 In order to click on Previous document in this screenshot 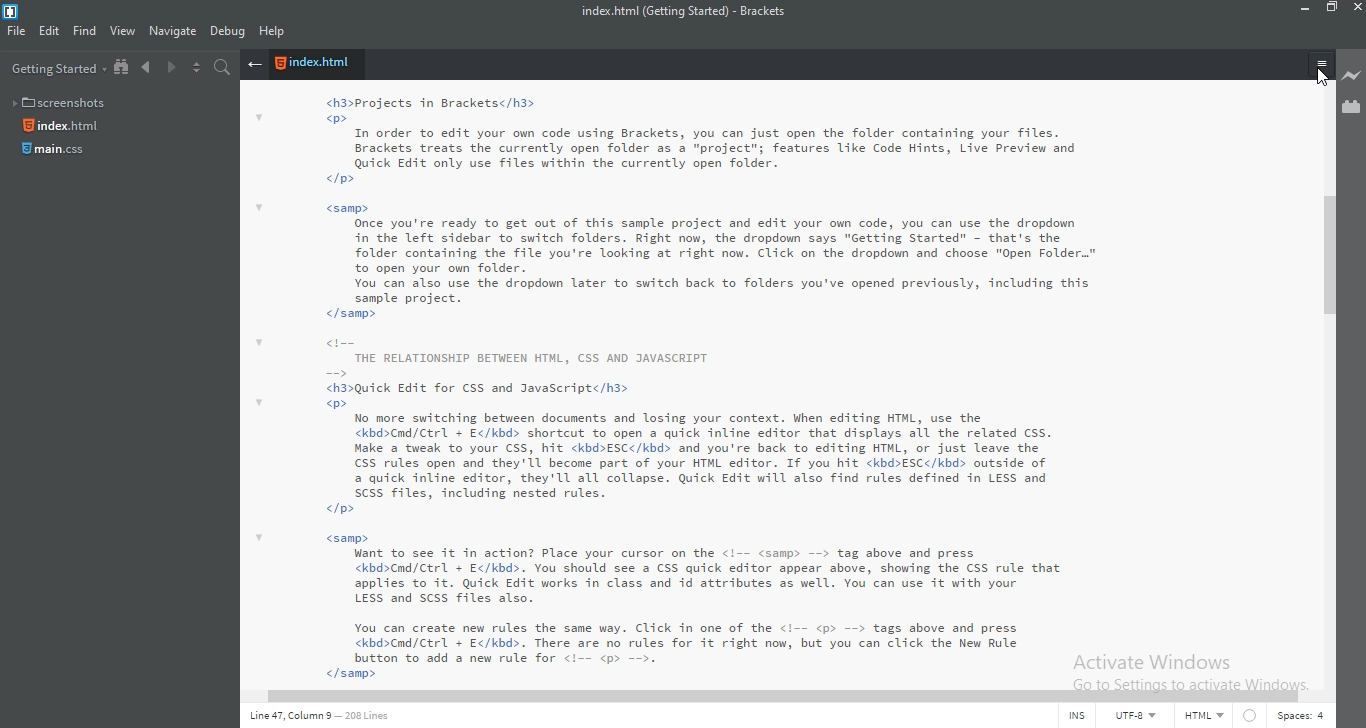, I will do `click(148, 68)`.